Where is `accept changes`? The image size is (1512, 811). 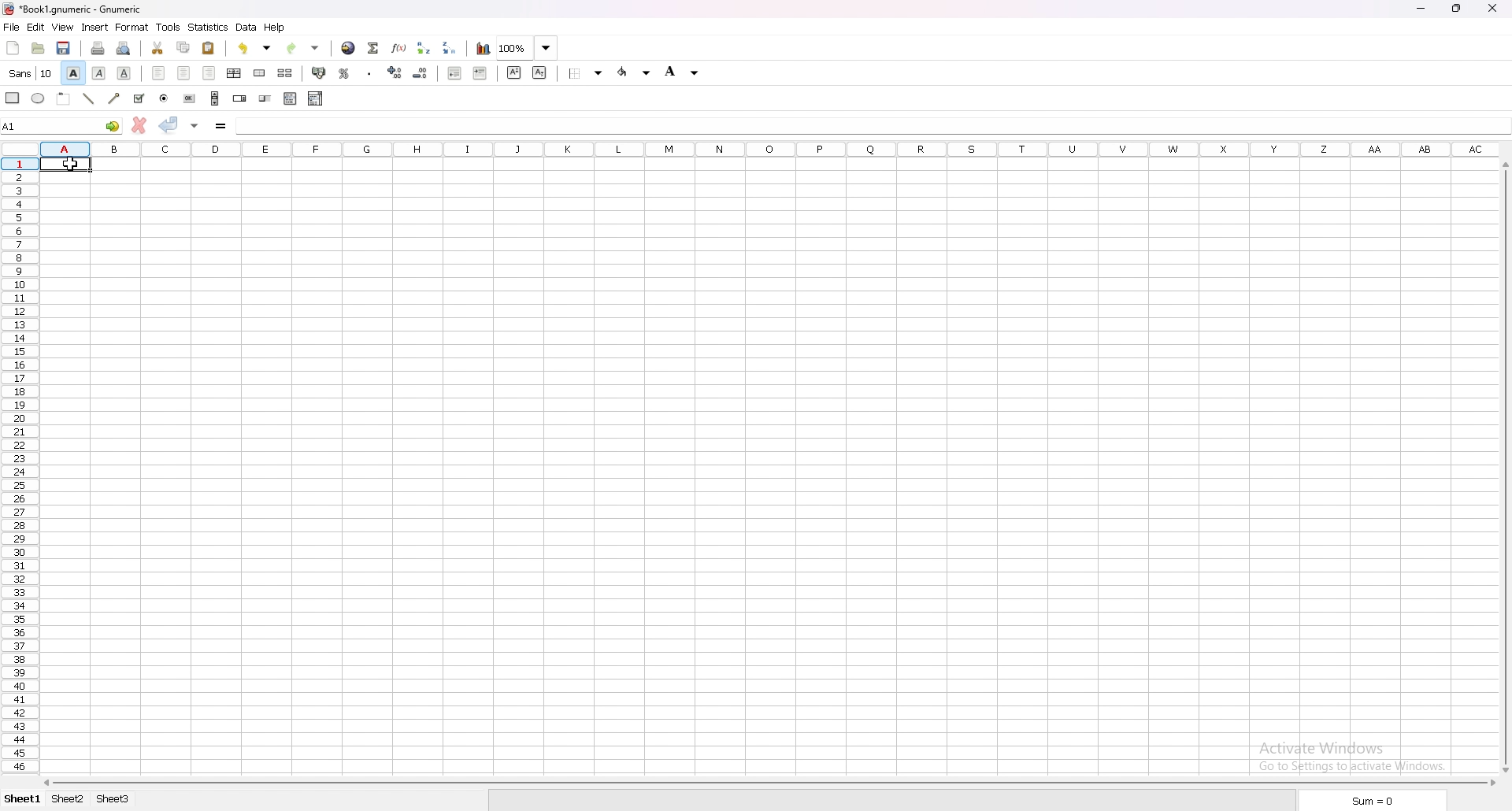 accept changes is located at coordinates (169, 124).